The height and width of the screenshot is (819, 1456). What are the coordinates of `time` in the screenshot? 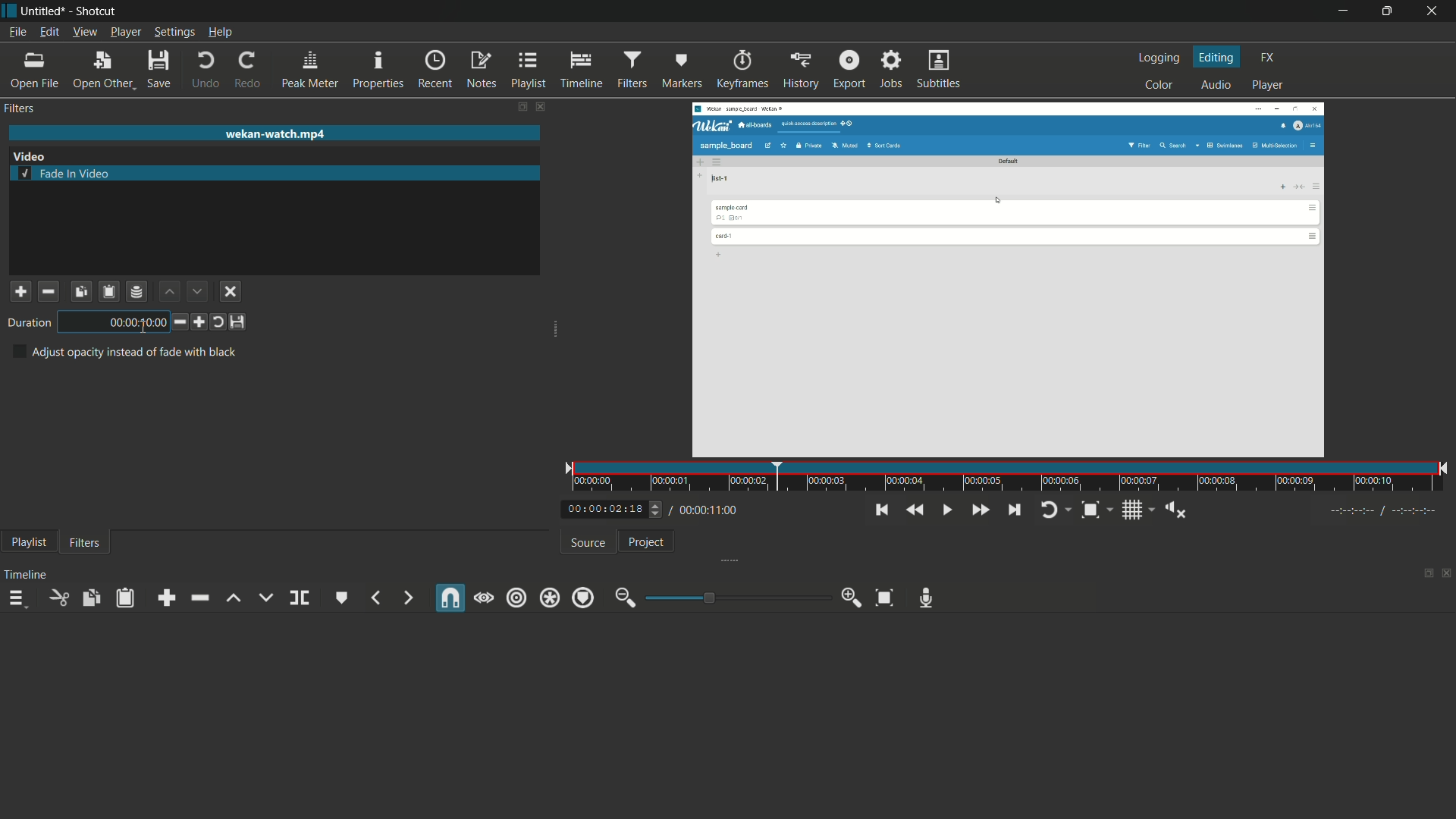 It's located at (1010, 477).